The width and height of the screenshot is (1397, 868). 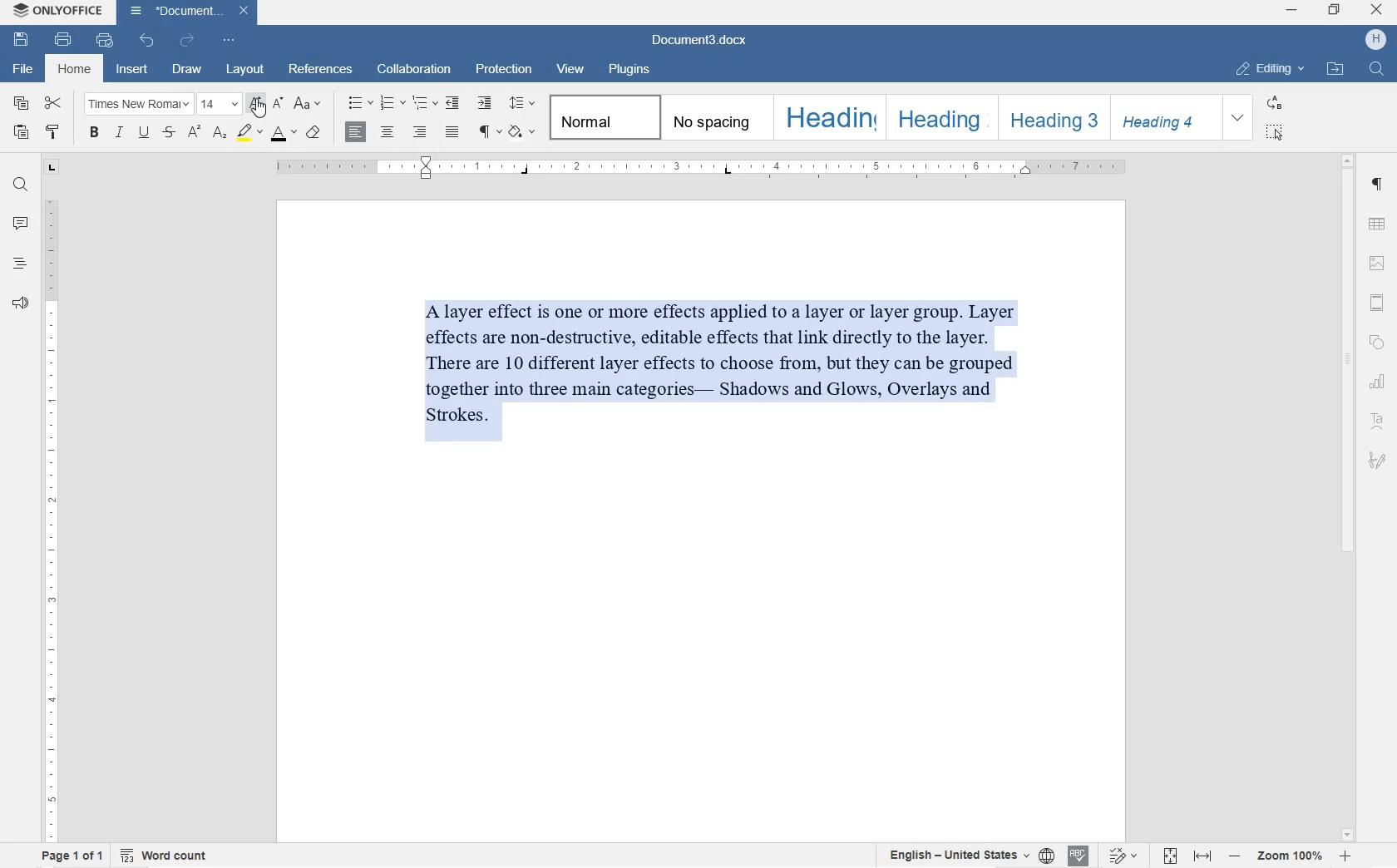 I want to click on word count, so click(x=164, y=856).